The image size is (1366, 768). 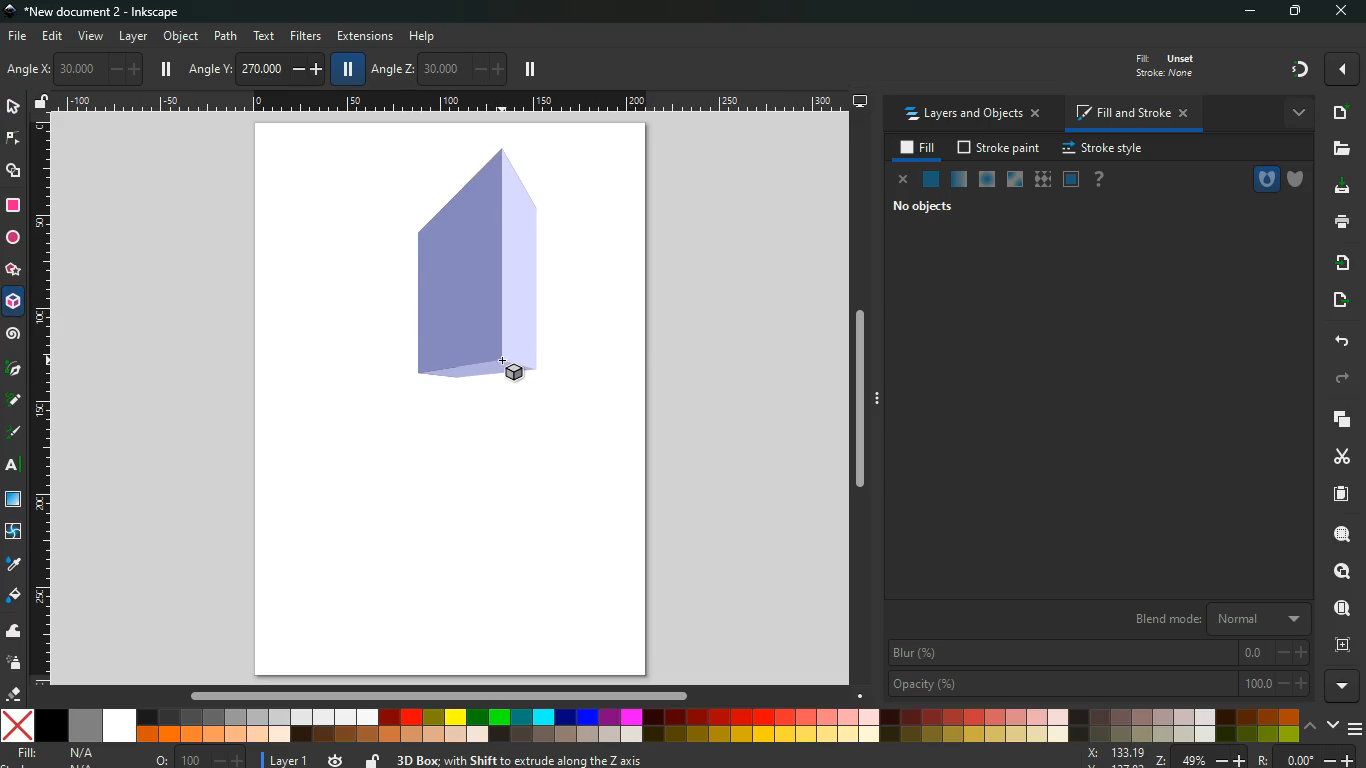 I want to click on angle y, so click(x=258, y=66).